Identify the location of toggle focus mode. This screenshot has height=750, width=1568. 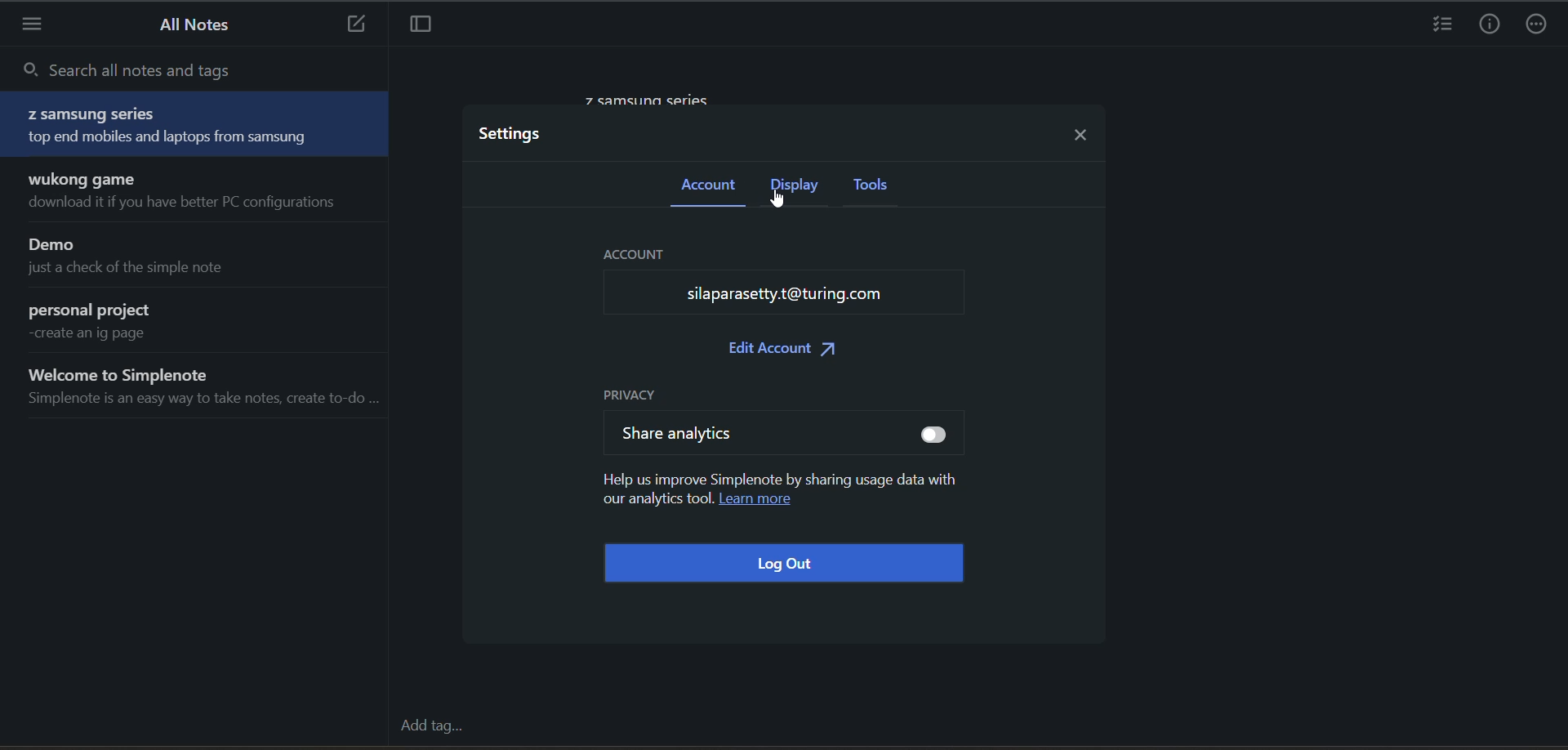
(417, 26).